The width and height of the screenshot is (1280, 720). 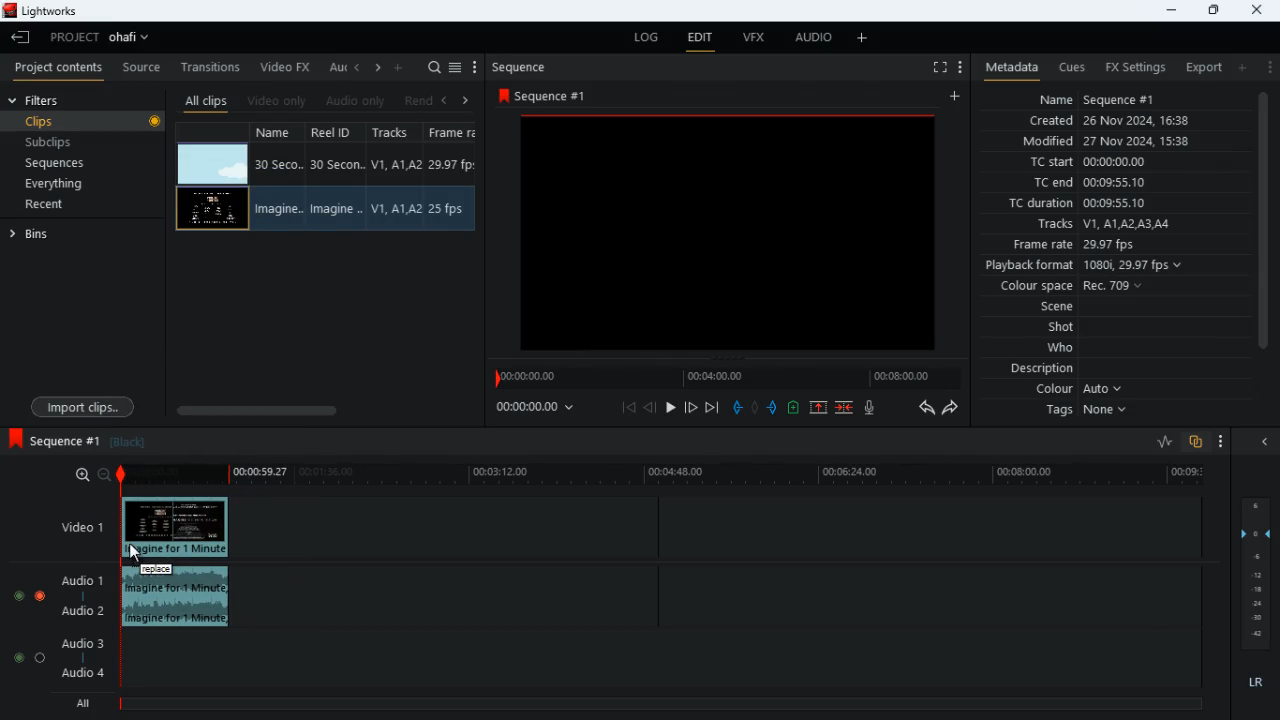 I want to click on name, so click(x=277, y=177).